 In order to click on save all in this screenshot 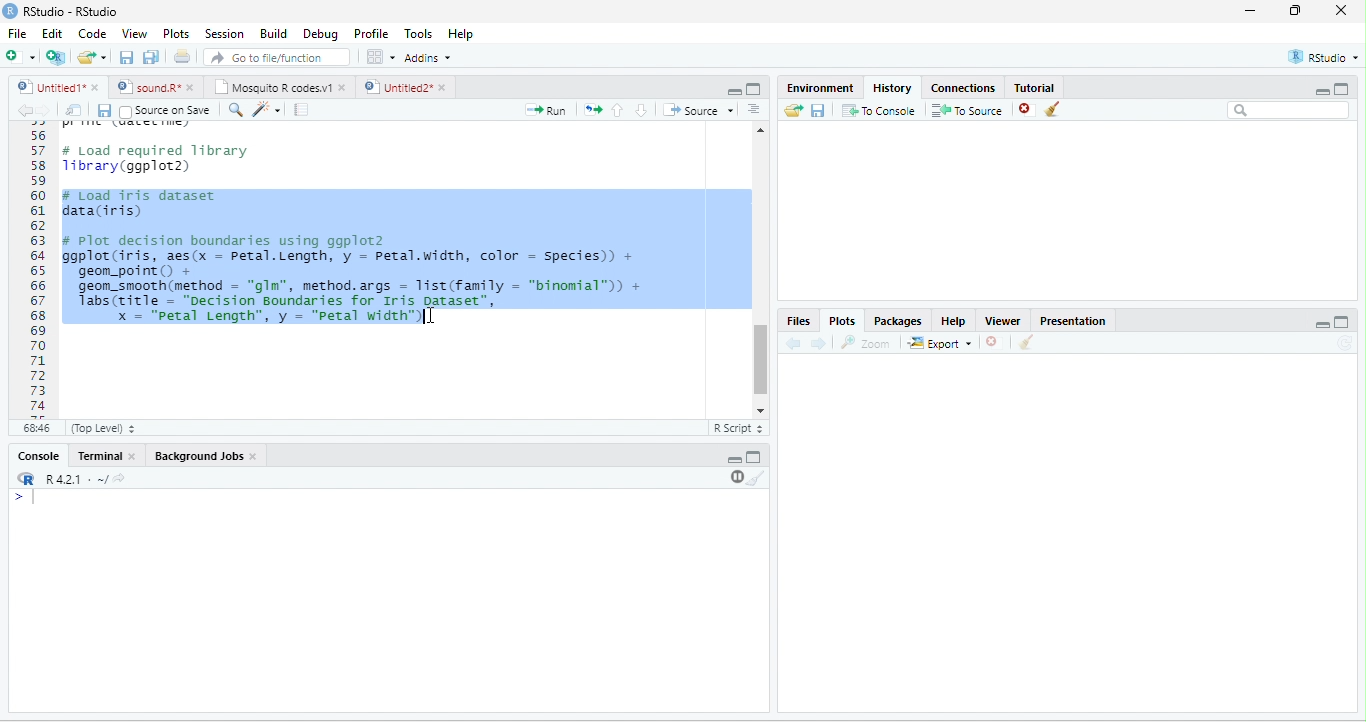, I will do `click(150, 57)`.